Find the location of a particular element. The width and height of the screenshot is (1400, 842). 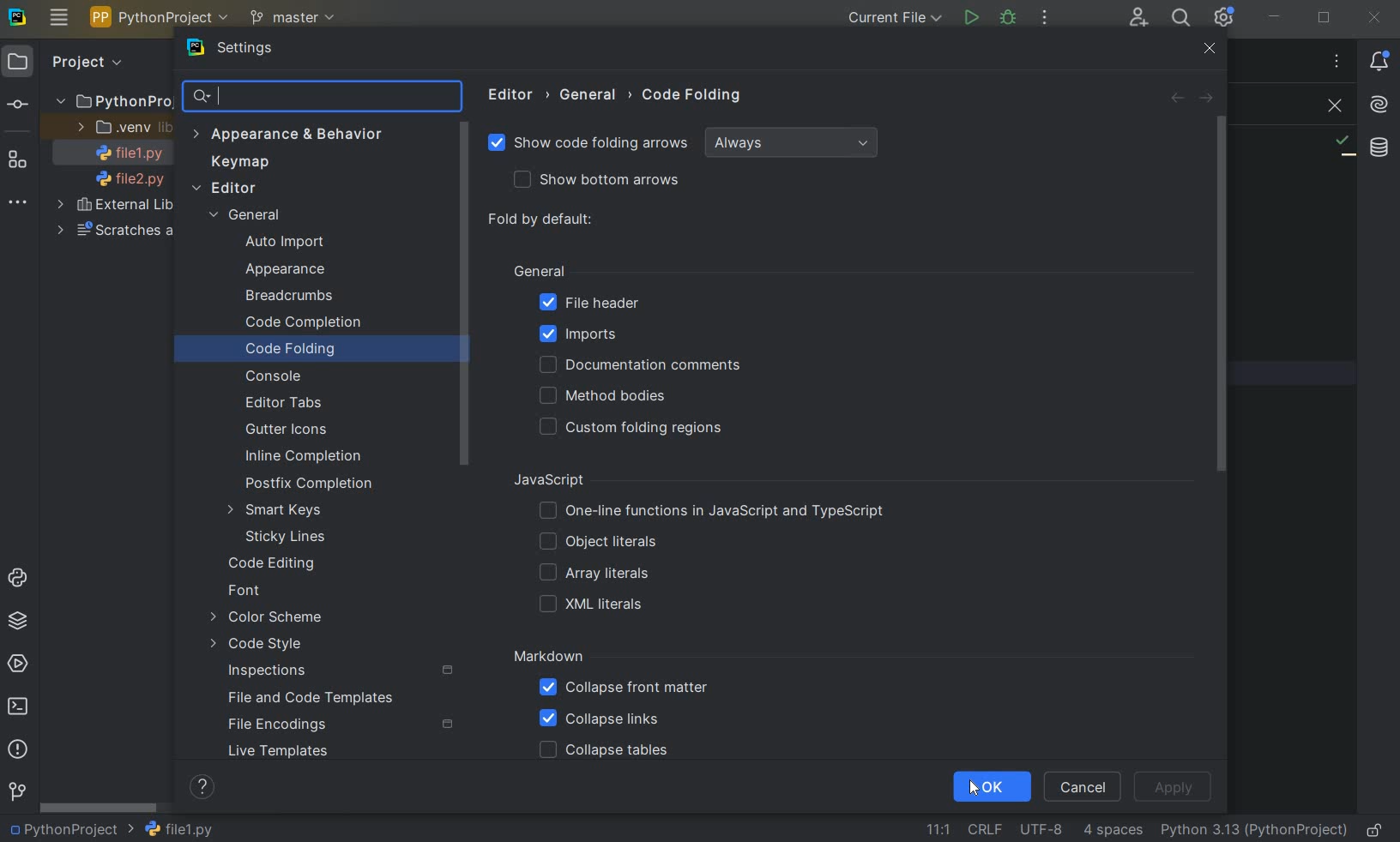

CLOSE is located at coordinates (1378, 16).